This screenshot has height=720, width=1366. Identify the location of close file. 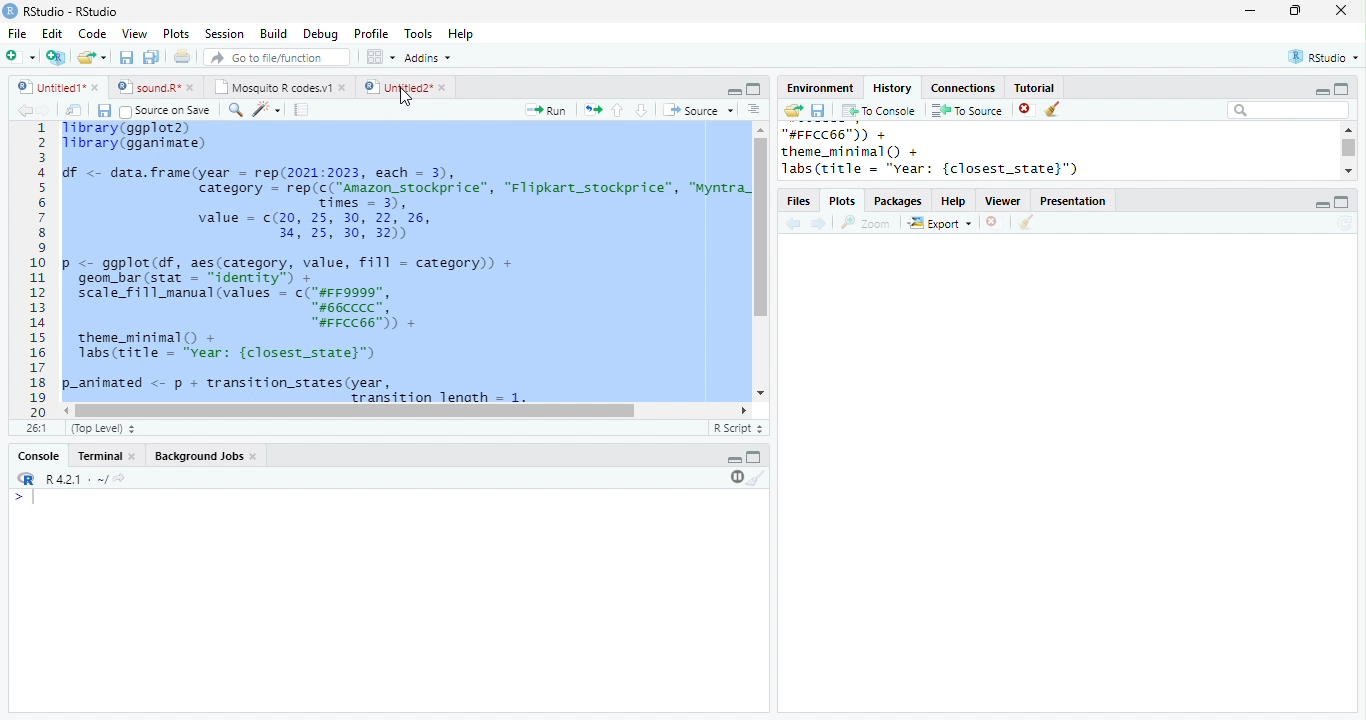
(1027, 109).